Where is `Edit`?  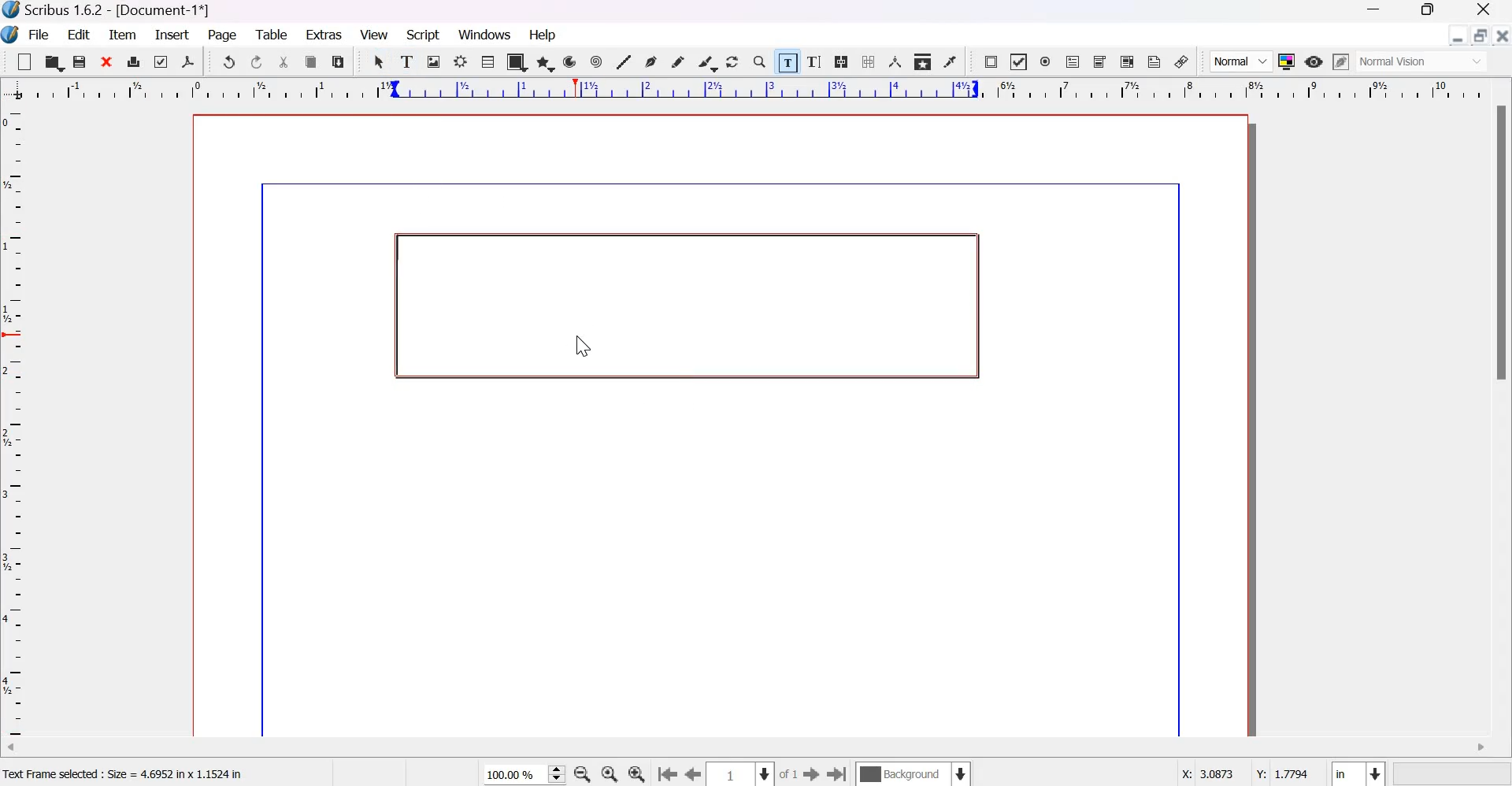
Edit is located at coordinates (80, 34).